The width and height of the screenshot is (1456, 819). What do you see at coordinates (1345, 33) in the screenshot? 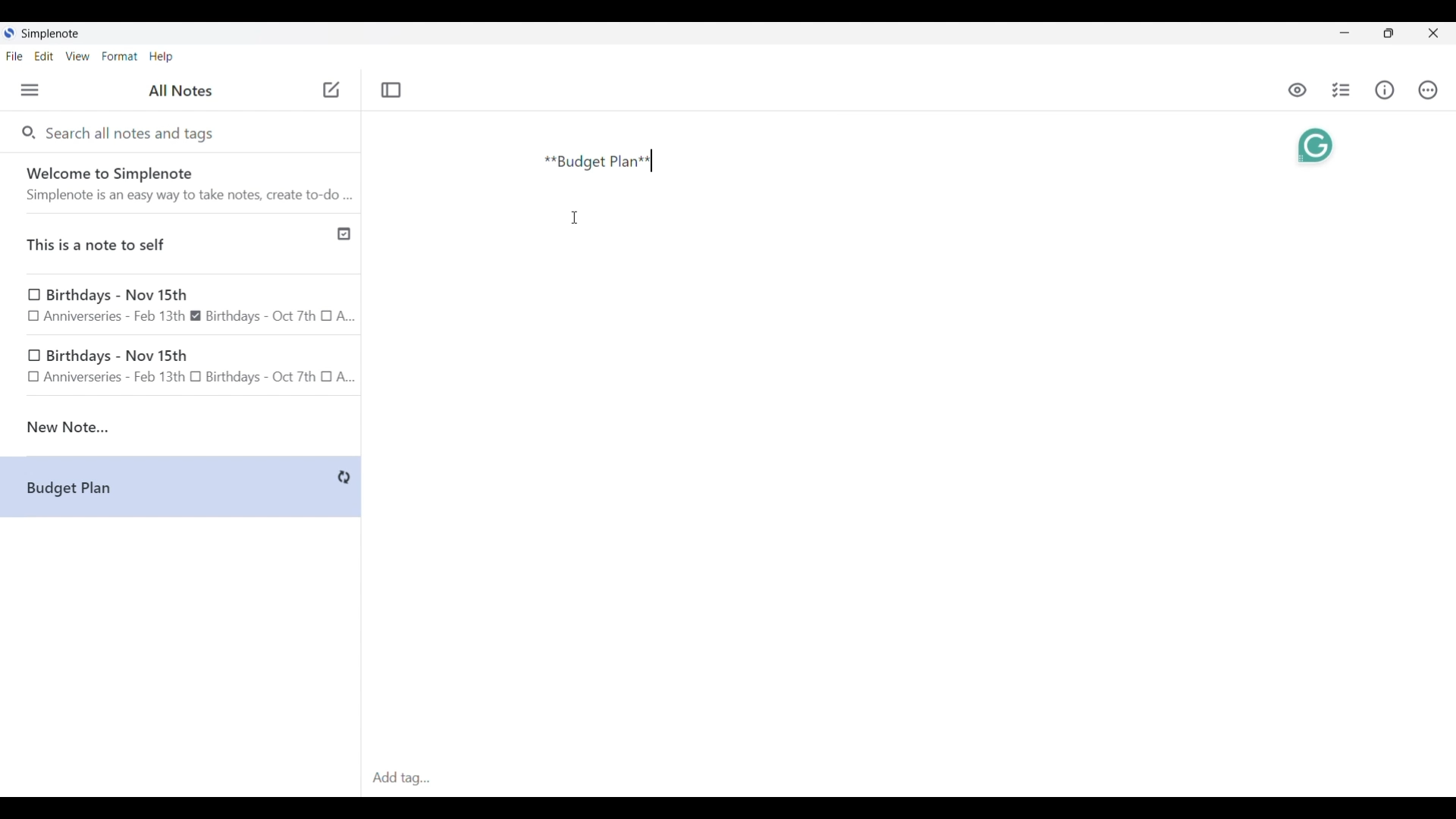
I see `Minimize` at bounding box center [1345, 33].